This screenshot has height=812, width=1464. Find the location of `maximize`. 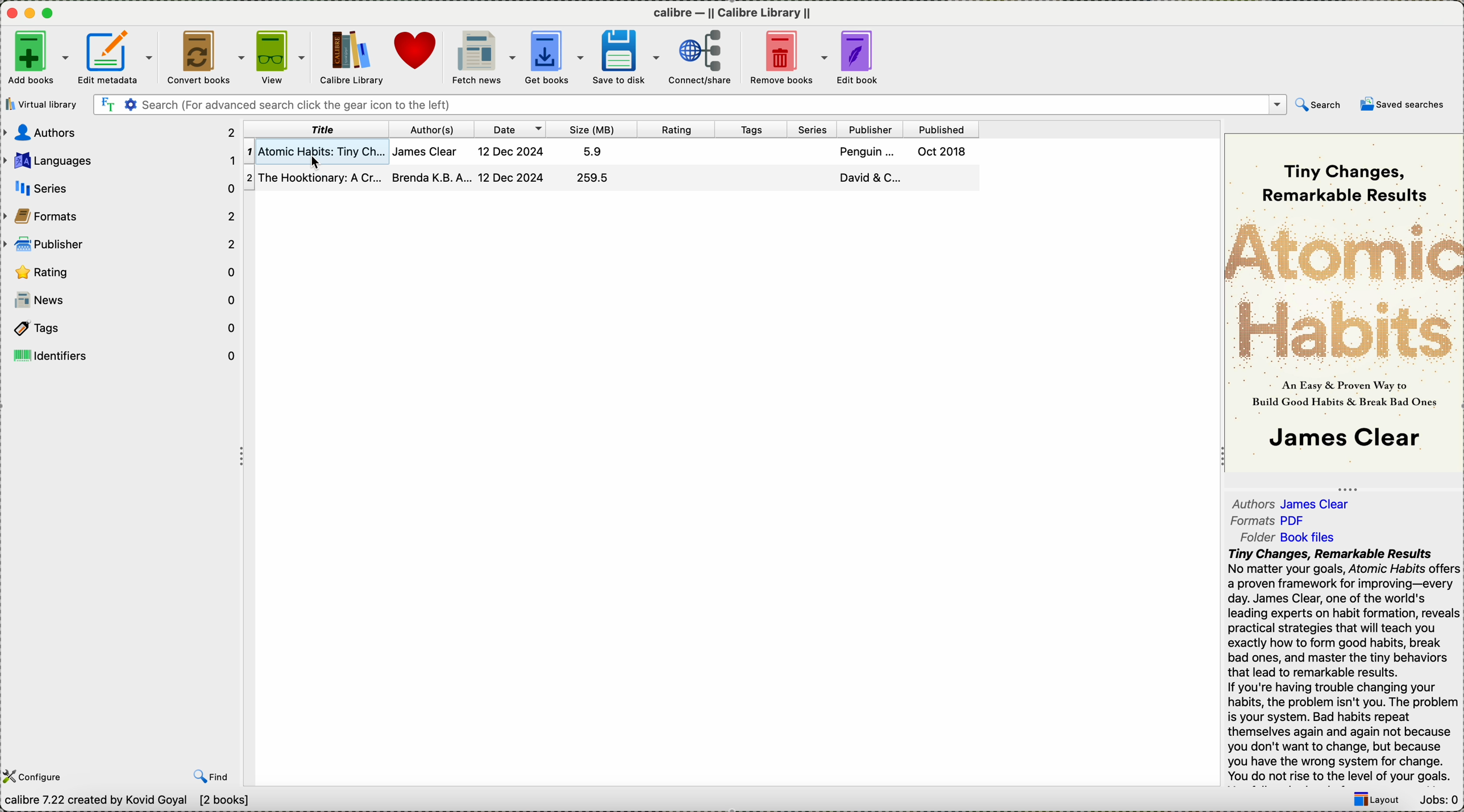

maximize is located at coordinates (50, 13).